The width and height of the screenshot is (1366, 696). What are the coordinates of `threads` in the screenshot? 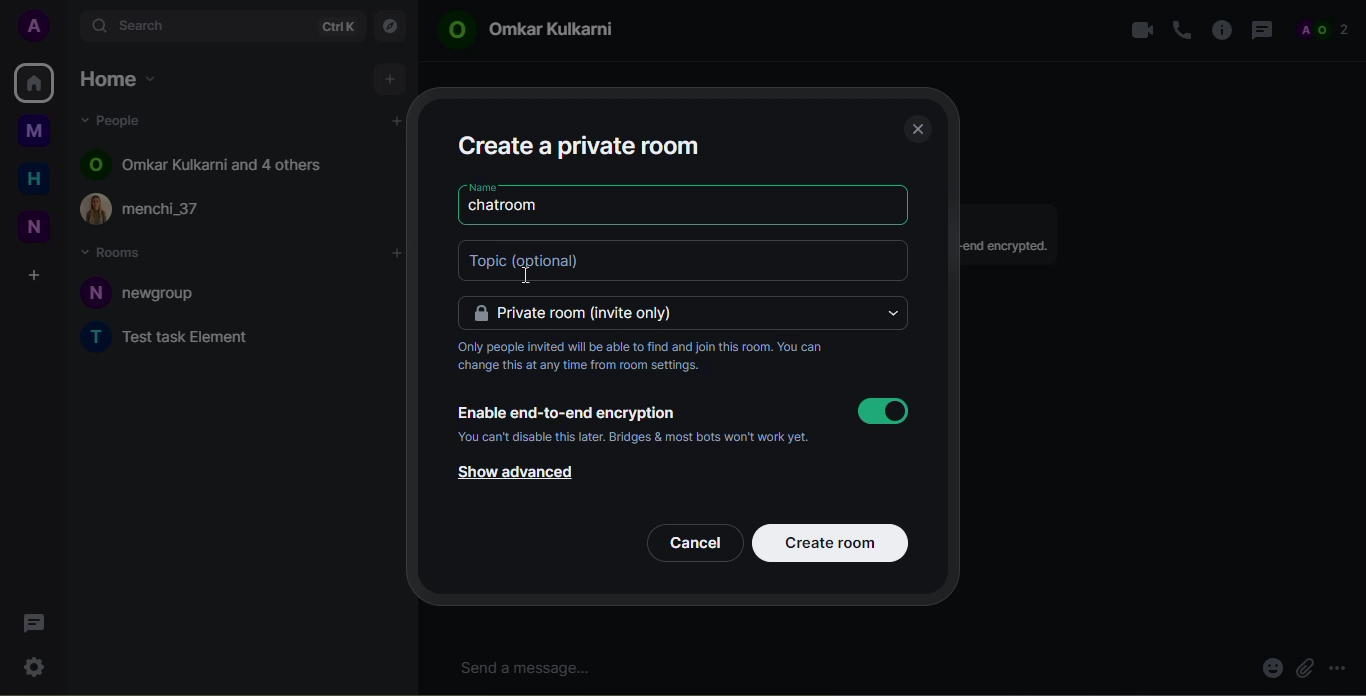 It's located at (1261, 30).